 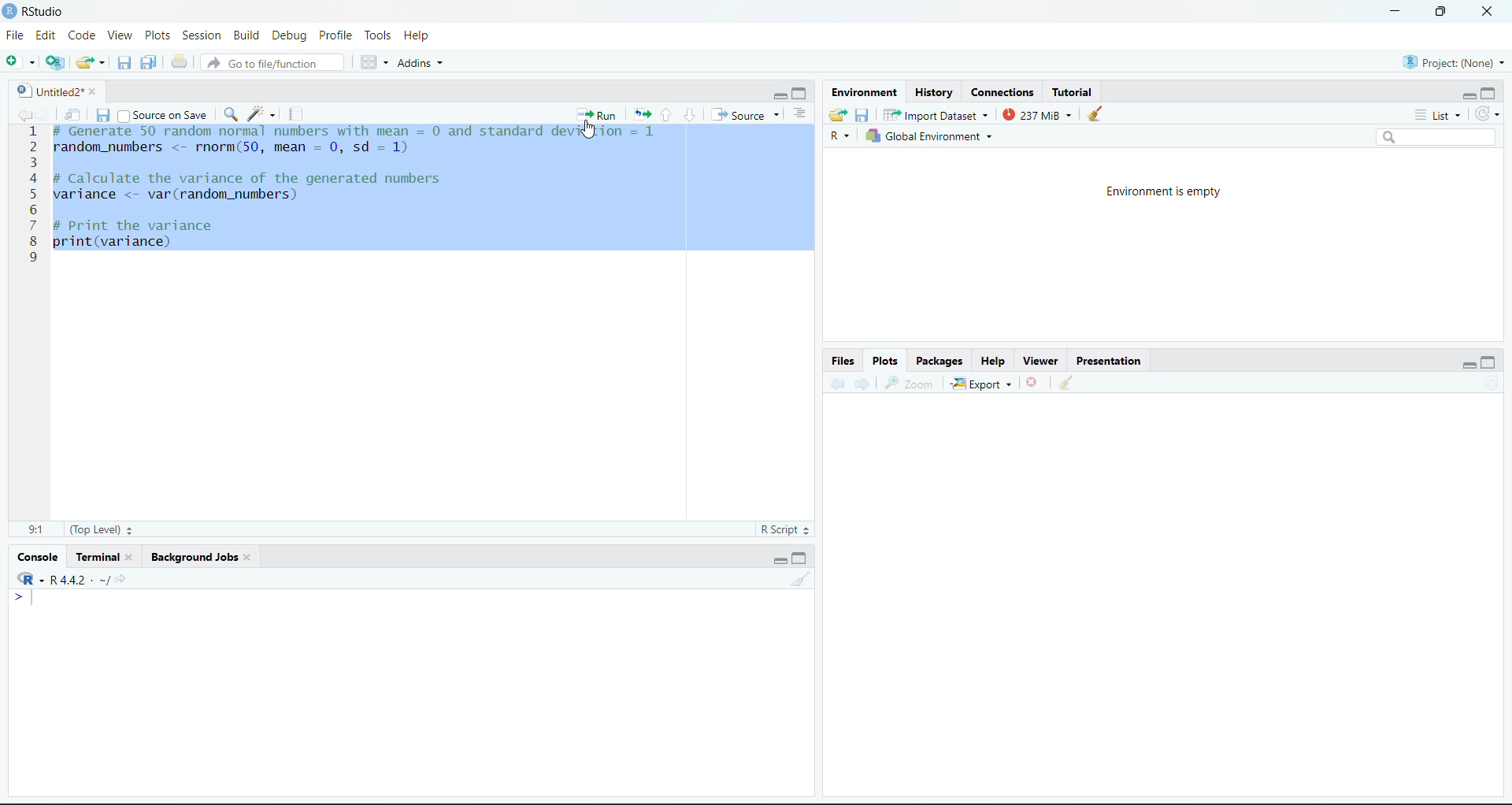 What do you see at coordinates (689, 115) in the screenshot?
I see `down` at bounding box center [689, 115].